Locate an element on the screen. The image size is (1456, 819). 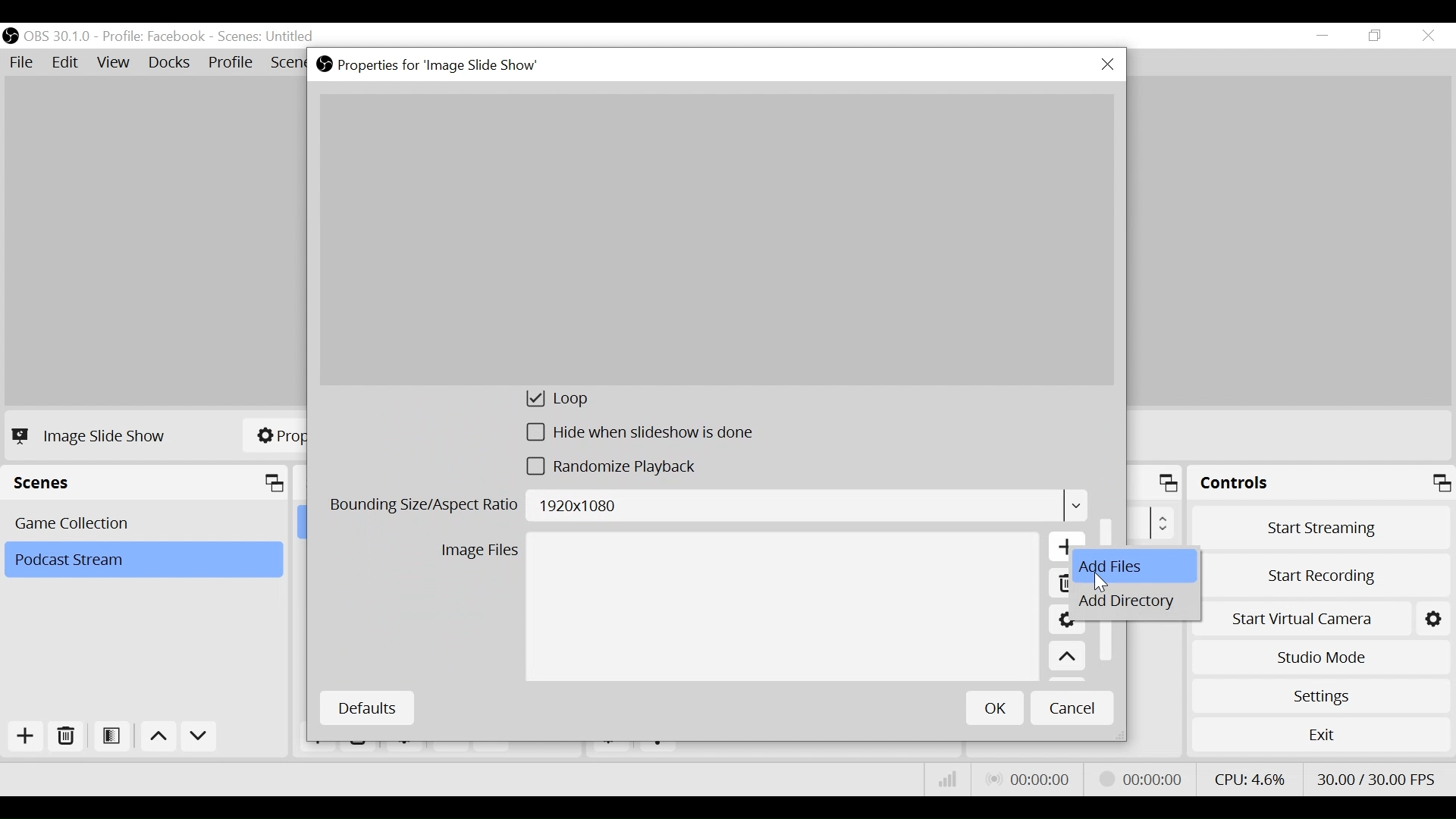
Preview Image Slide Show is located at coordinates (716, 240).